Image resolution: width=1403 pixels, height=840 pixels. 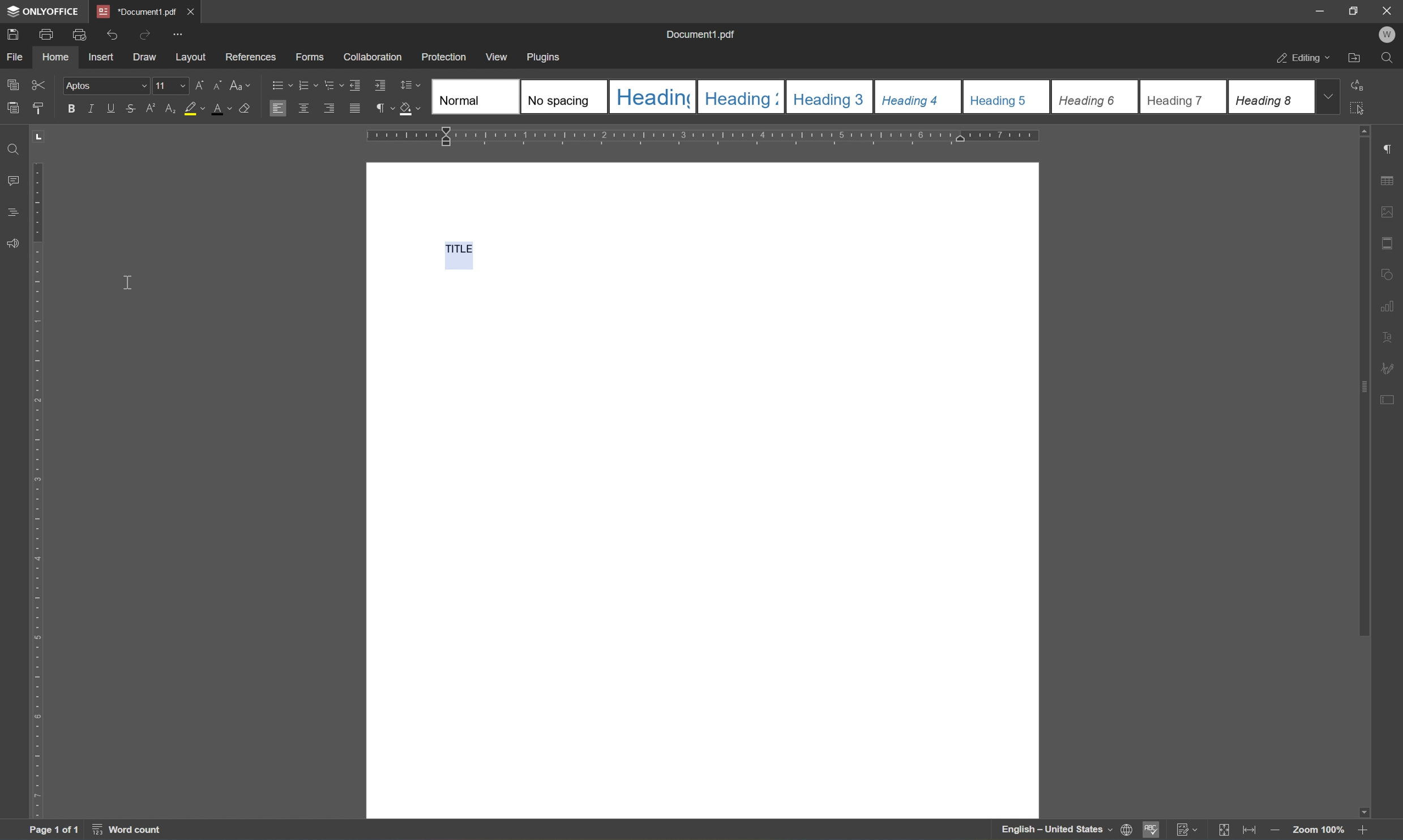 What do you see at coordinates (13, 244) in the screenshot?
I see `feedback & support` at bounding box center [13, 244].